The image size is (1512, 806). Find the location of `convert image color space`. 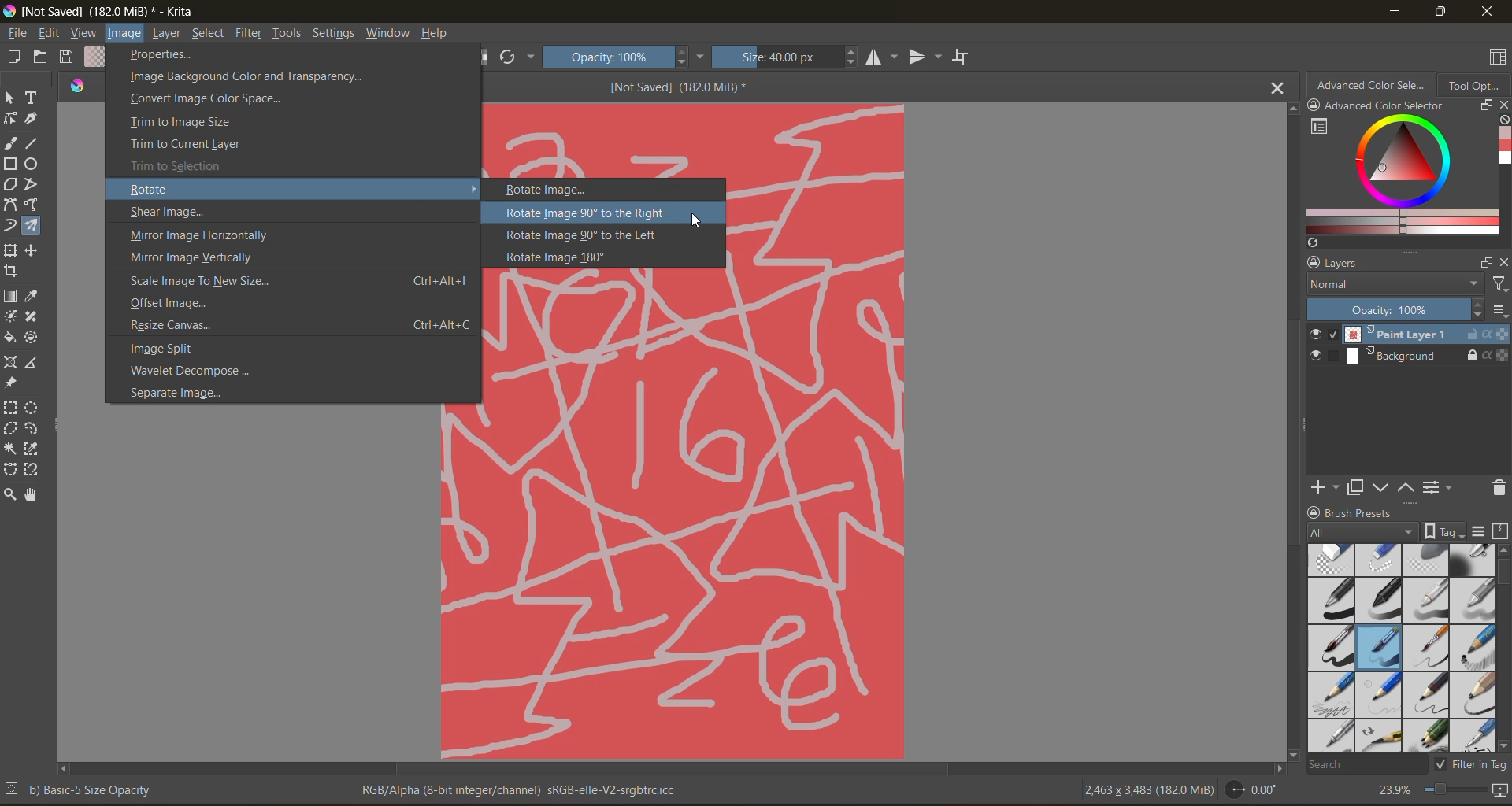

convert image color space is located at coordinates (211, 101).